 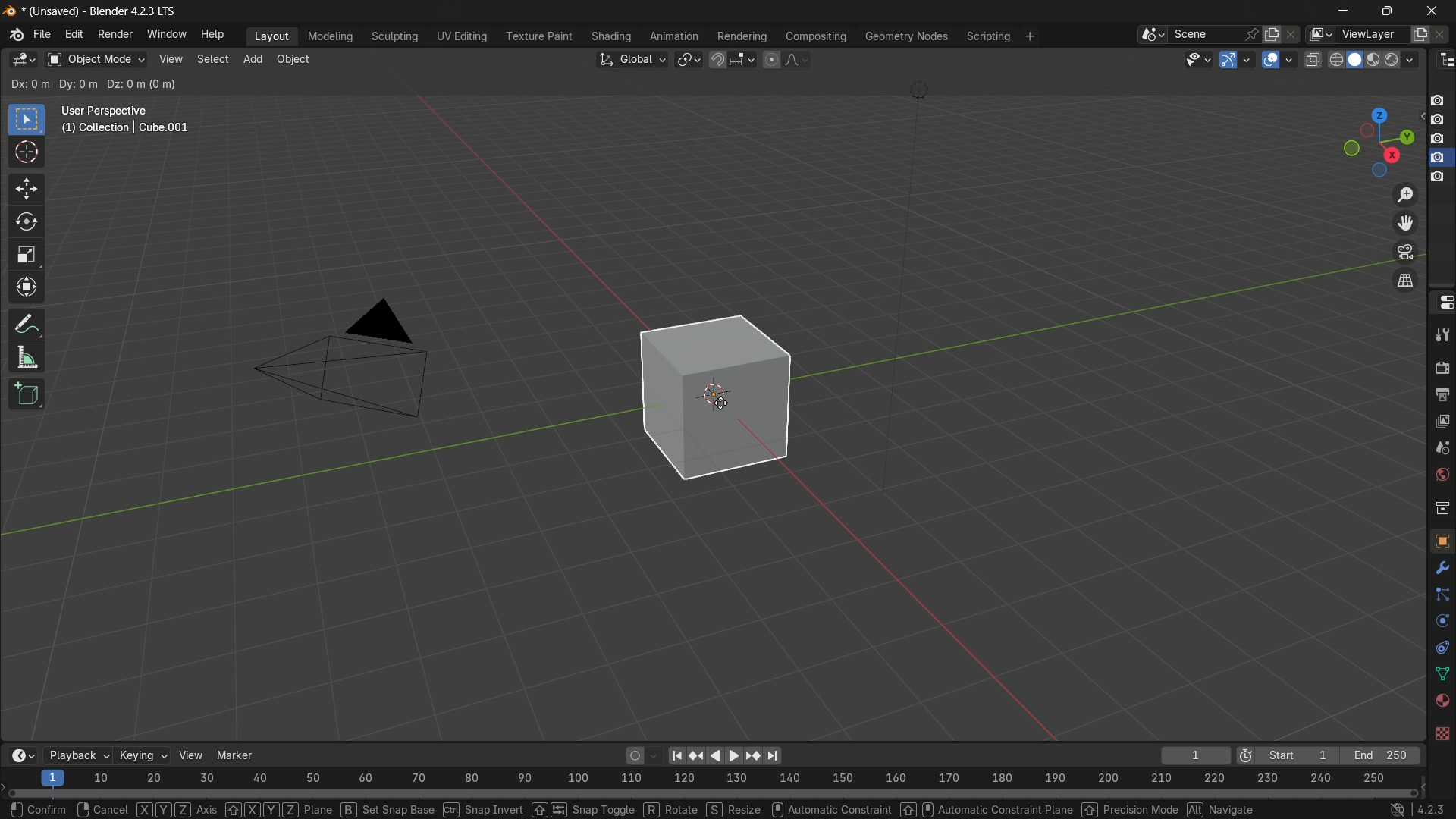 What do you see at coordinates (297, 59) in the screenshot?
I see `object tab` at bounding box center [297, 59].